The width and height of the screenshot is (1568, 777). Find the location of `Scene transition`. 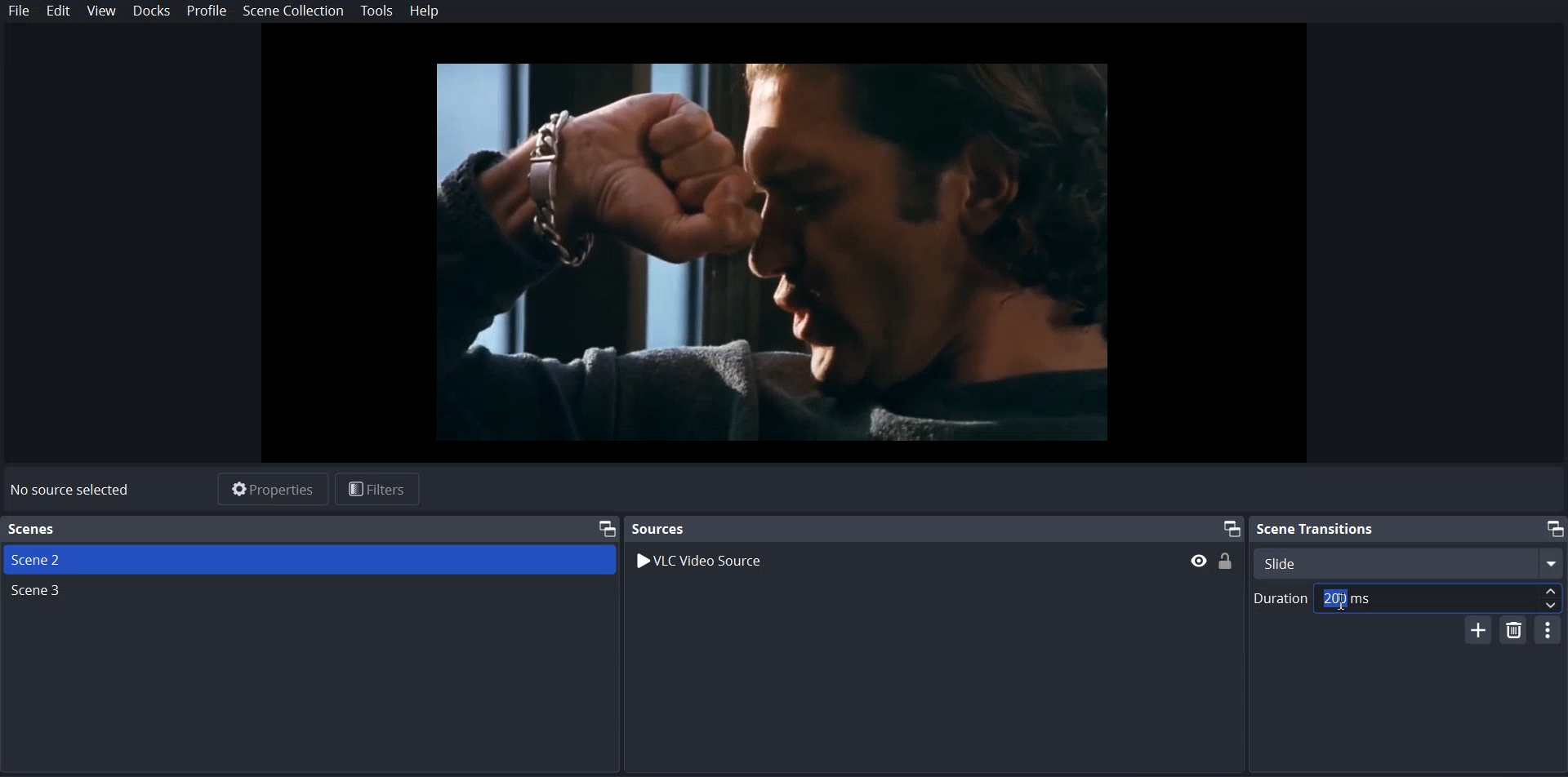

Scene transition is located at coordinates (1409, 527).